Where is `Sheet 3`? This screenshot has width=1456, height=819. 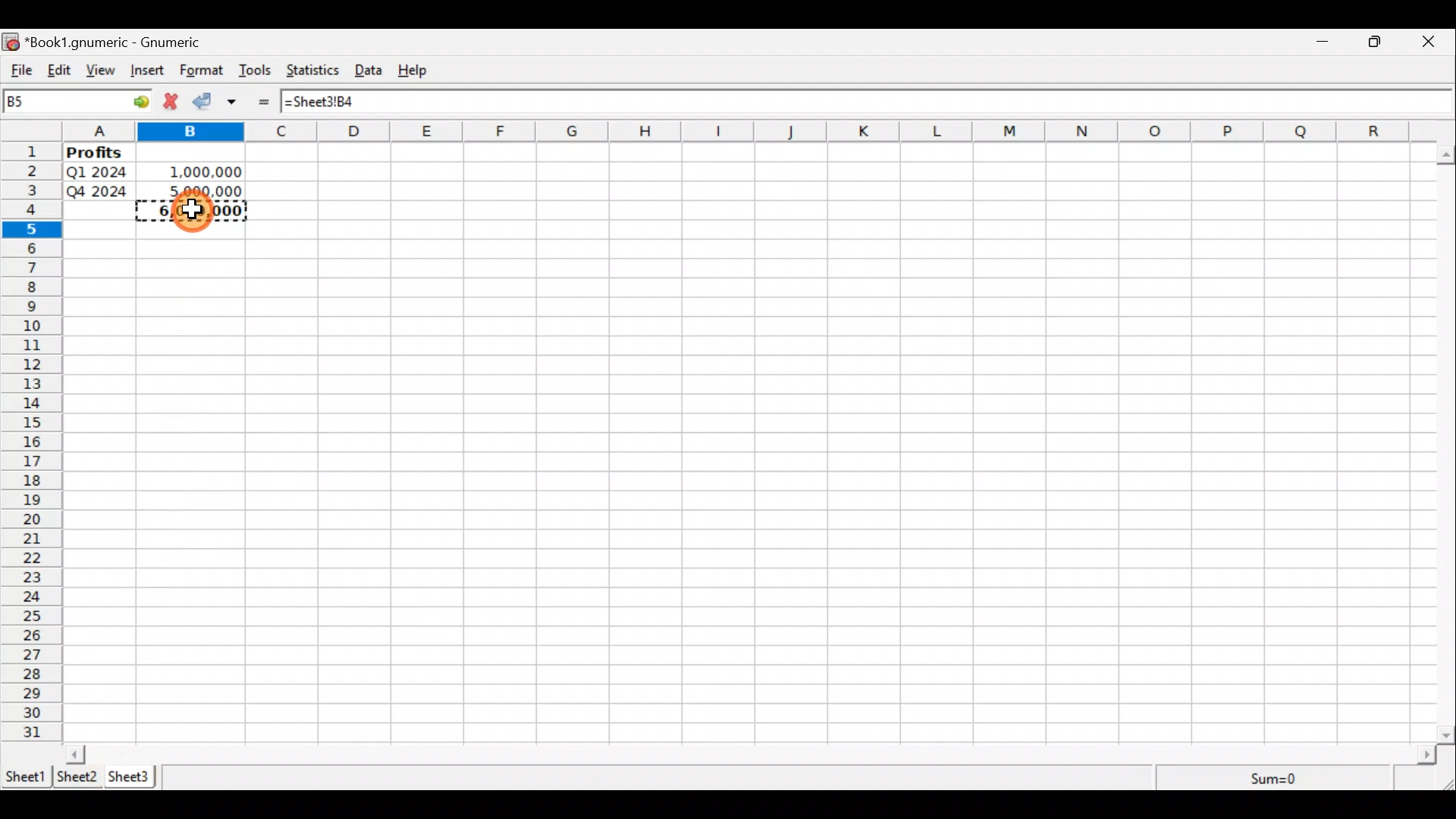
Sheet 3 is located at coordinates (133, 777).